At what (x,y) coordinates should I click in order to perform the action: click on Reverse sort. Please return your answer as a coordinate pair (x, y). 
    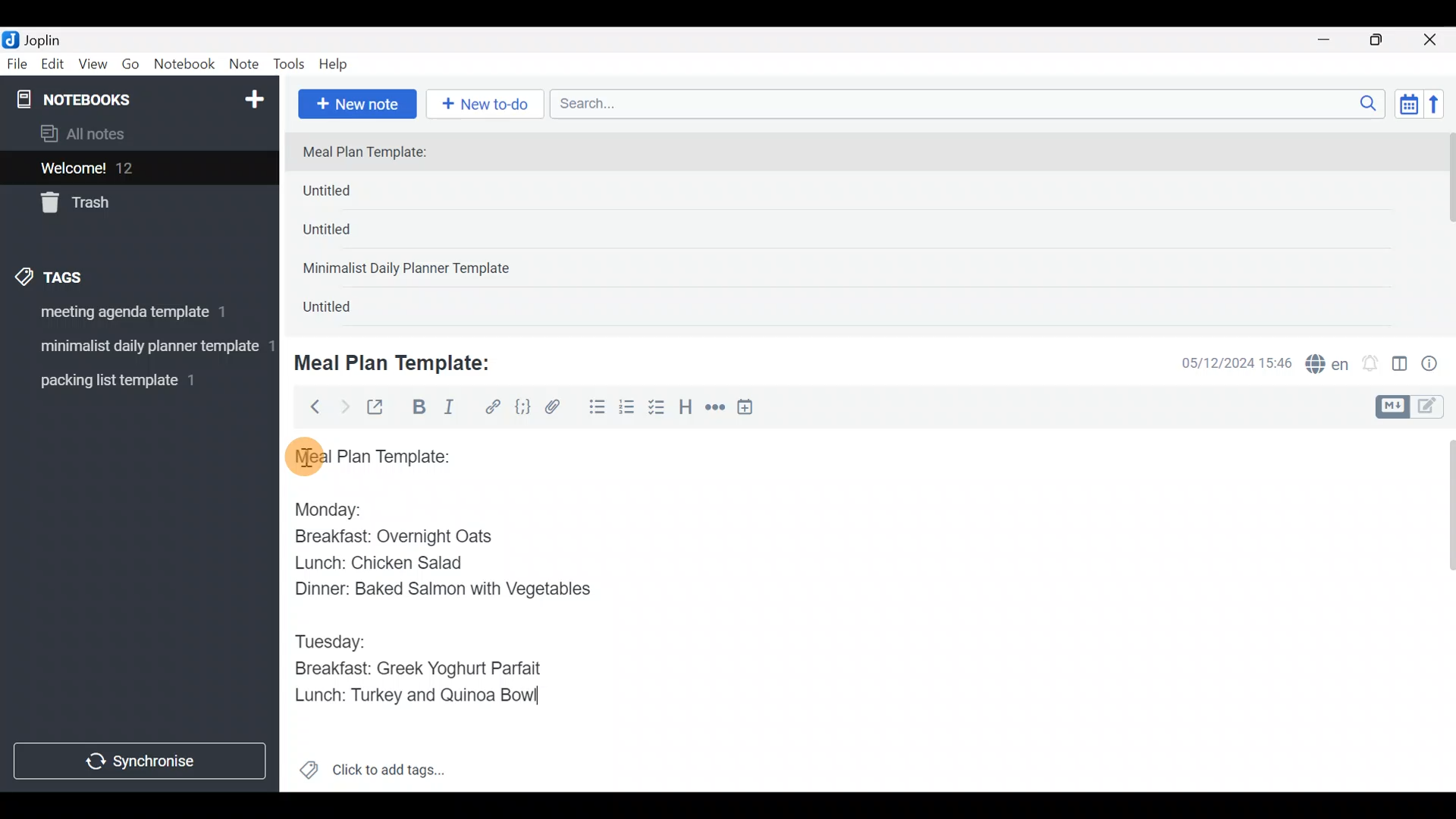
    Looking at the image, I should click on (1442, 108).